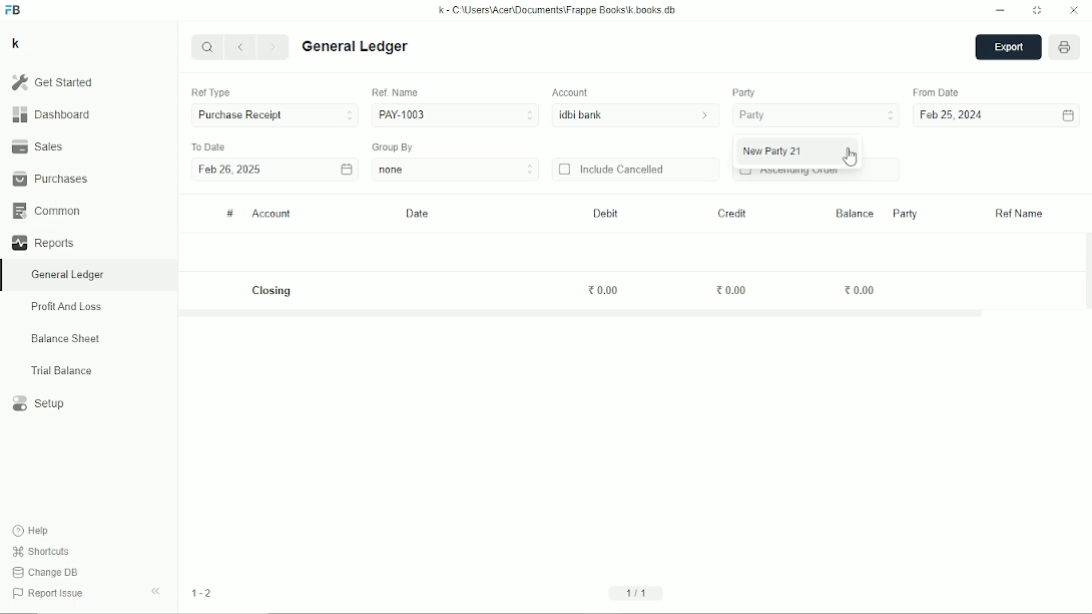 The height and width of the screenshot is (614, 1092). Describe the element at coordinates (346, 168) in the screenshot. I see `Calendar` at that location.